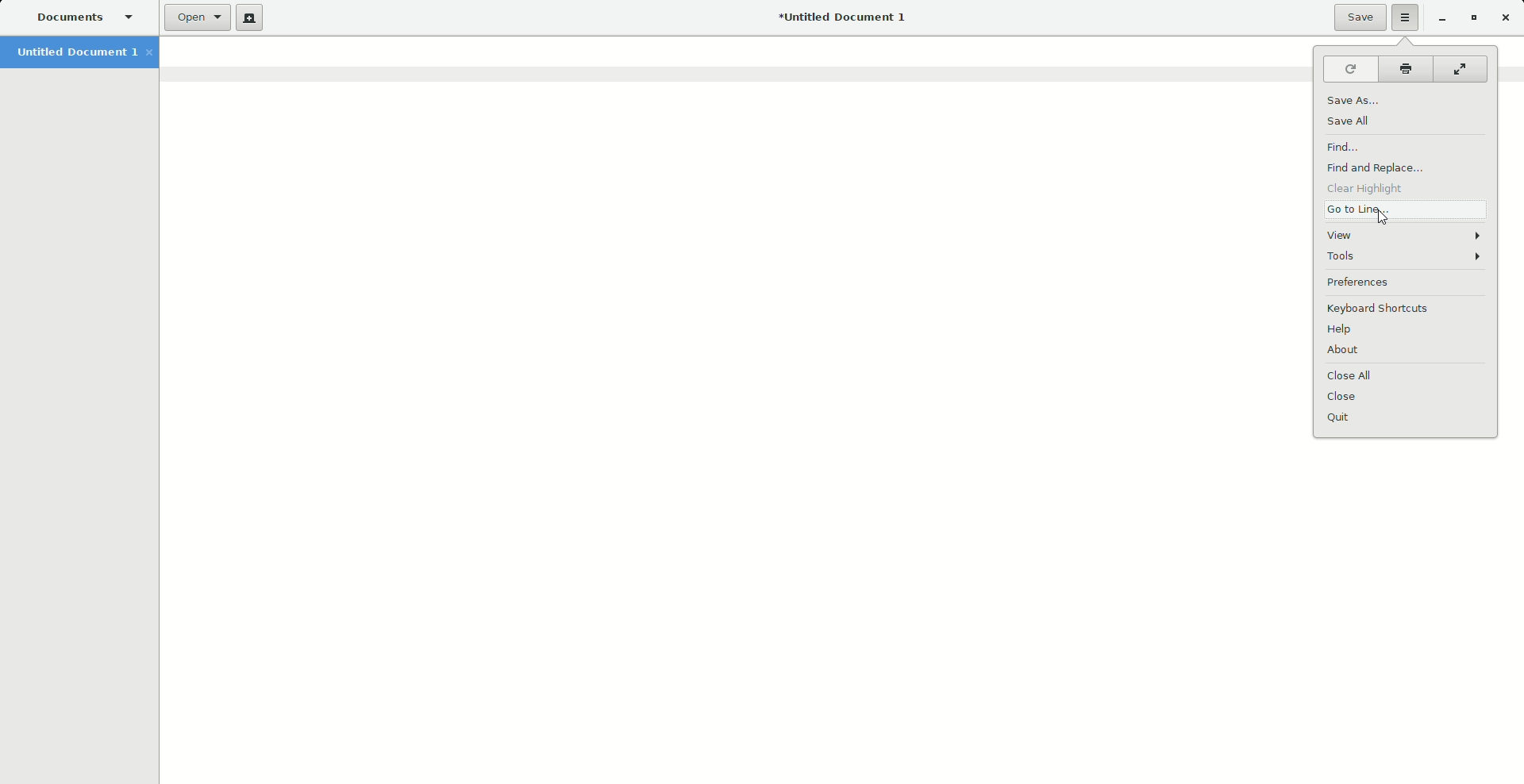  I want to click on Find and Replace, so click(1376, 169).